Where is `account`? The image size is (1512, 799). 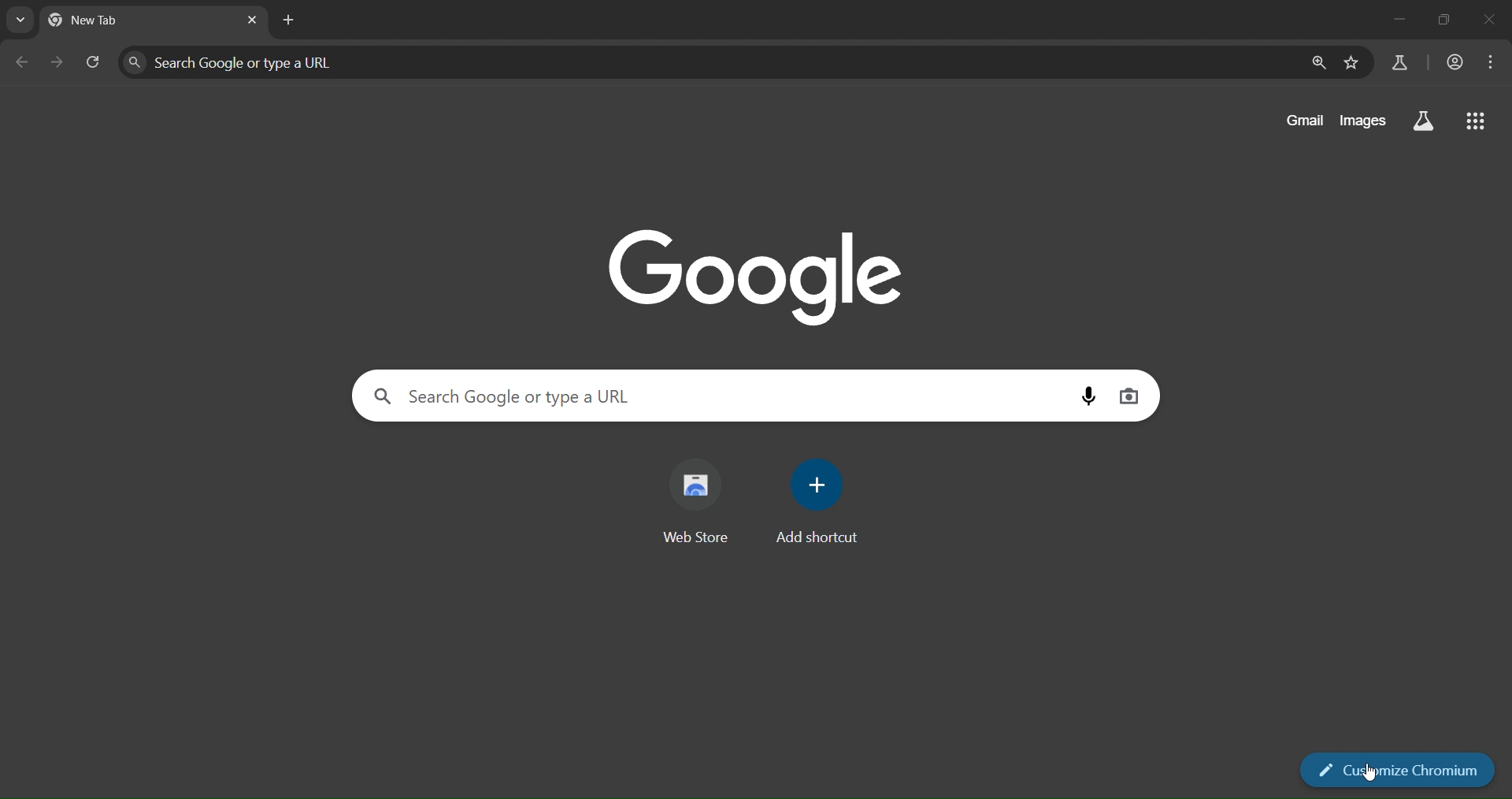 account is located at coordinates (1455, 61).